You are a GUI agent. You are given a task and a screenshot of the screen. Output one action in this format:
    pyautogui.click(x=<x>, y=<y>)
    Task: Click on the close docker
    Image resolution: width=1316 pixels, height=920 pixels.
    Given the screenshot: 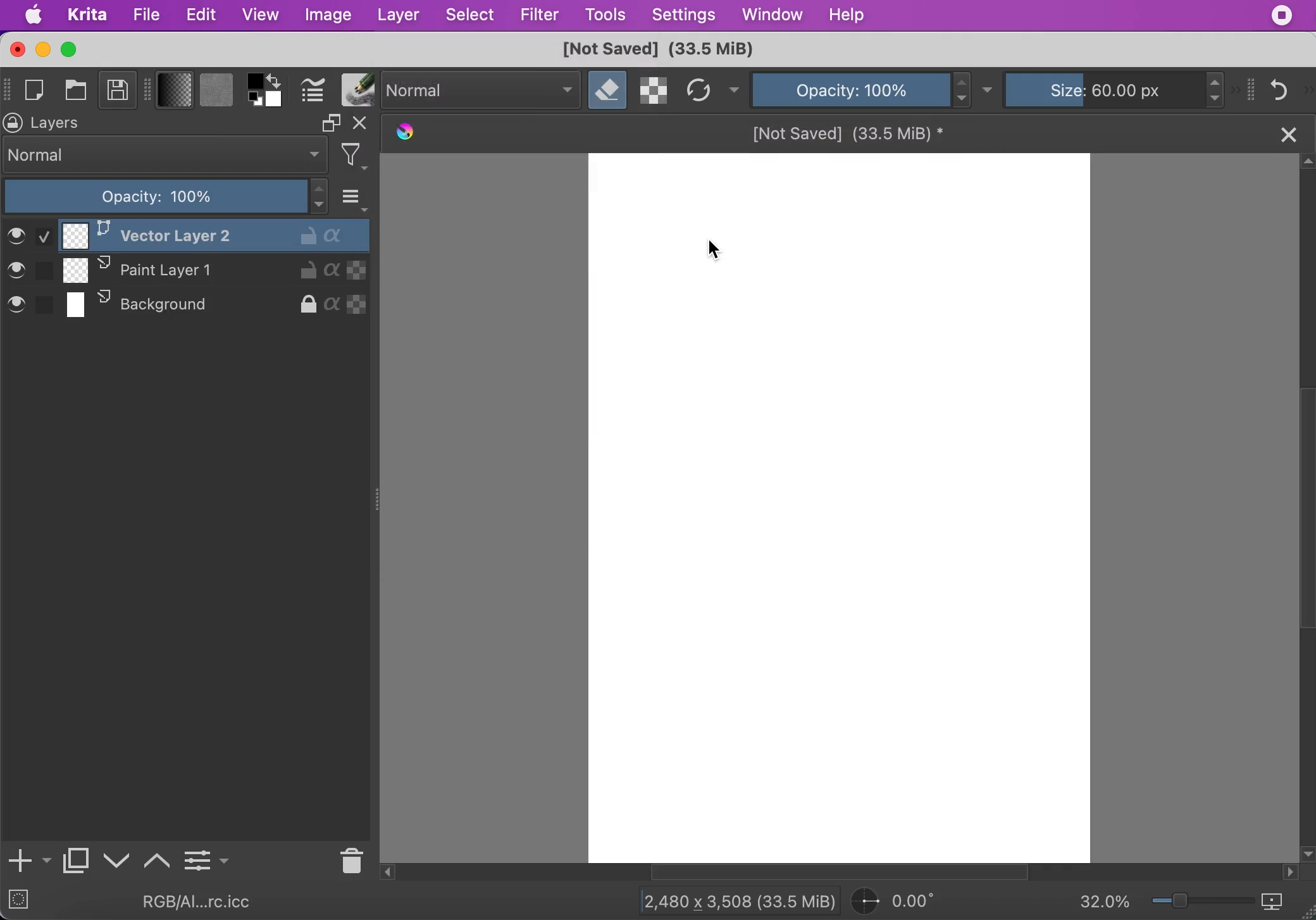 What is the action you would take?
    pyautogui.click(x=363, y=125)
    